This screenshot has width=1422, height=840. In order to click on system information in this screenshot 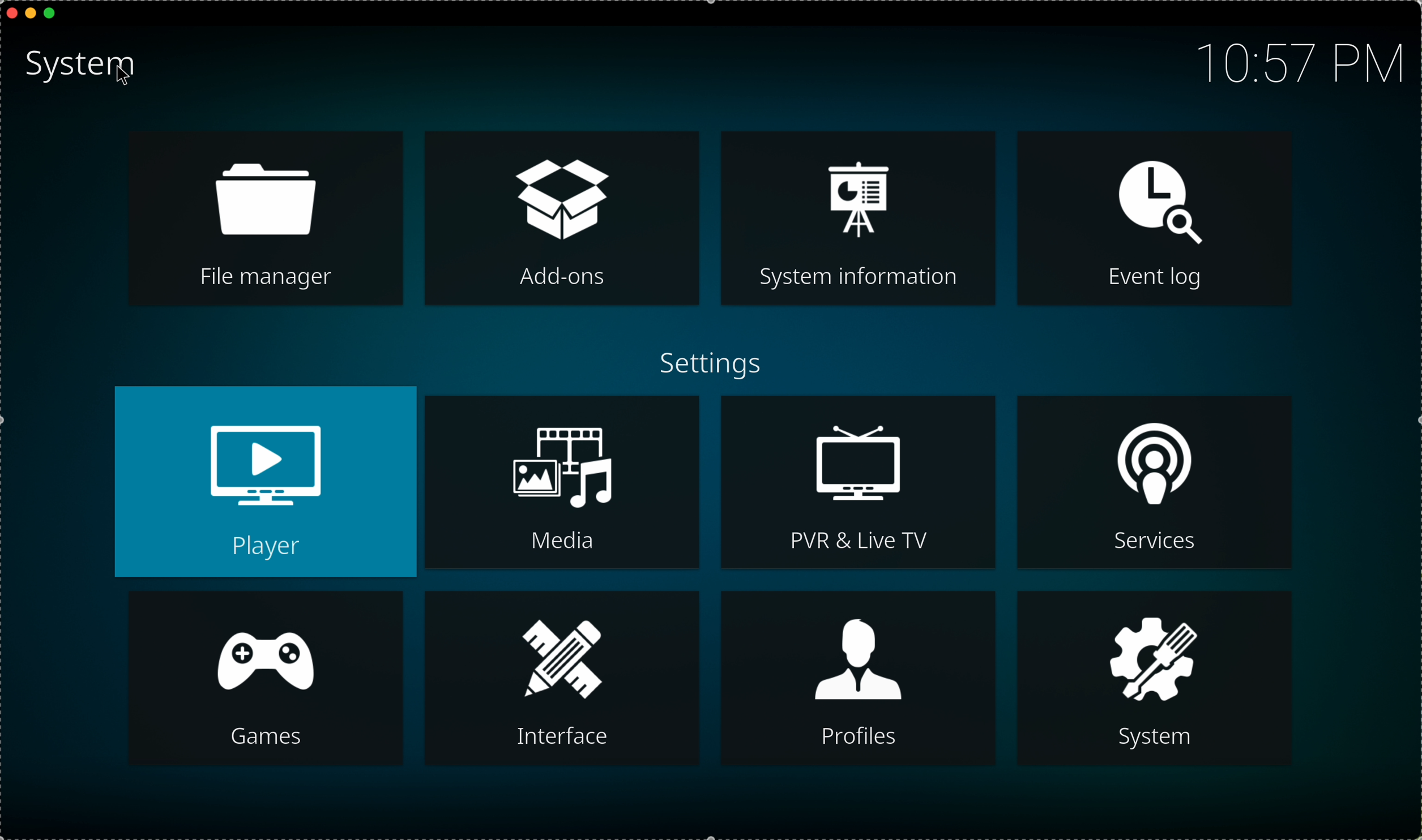, I will do `click(857, 217)`.